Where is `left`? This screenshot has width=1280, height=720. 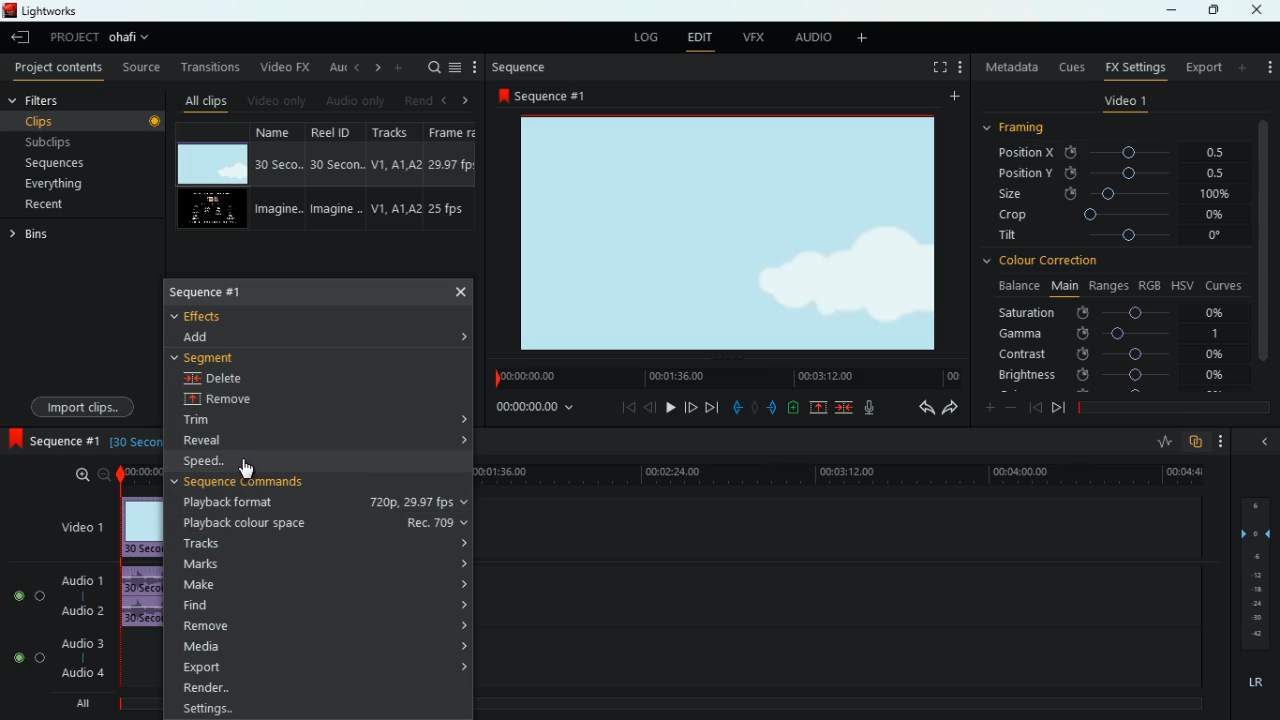 left is located at coordinates (442, 98).